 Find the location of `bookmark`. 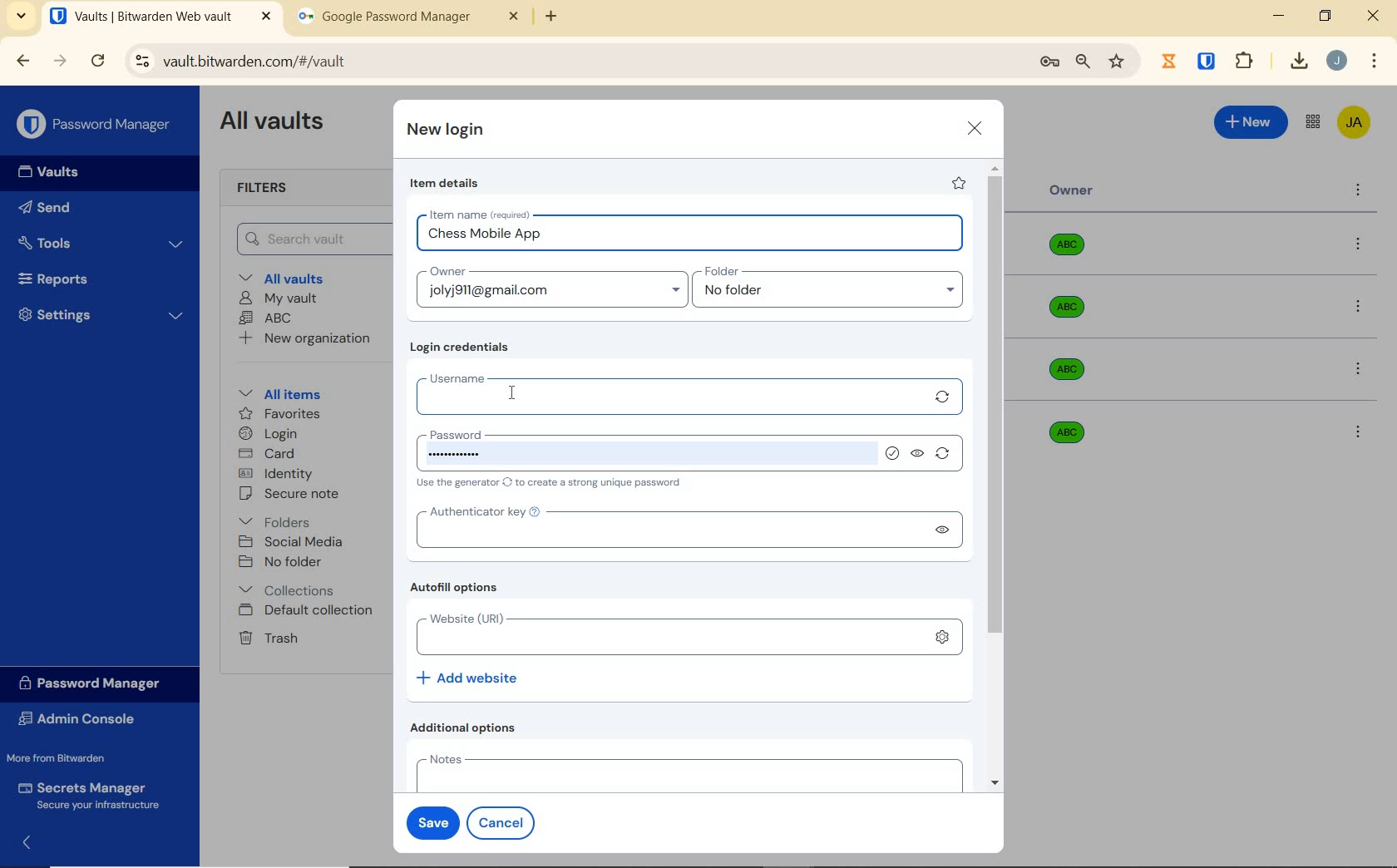

bookmark is located at coordinates (1118, 61).